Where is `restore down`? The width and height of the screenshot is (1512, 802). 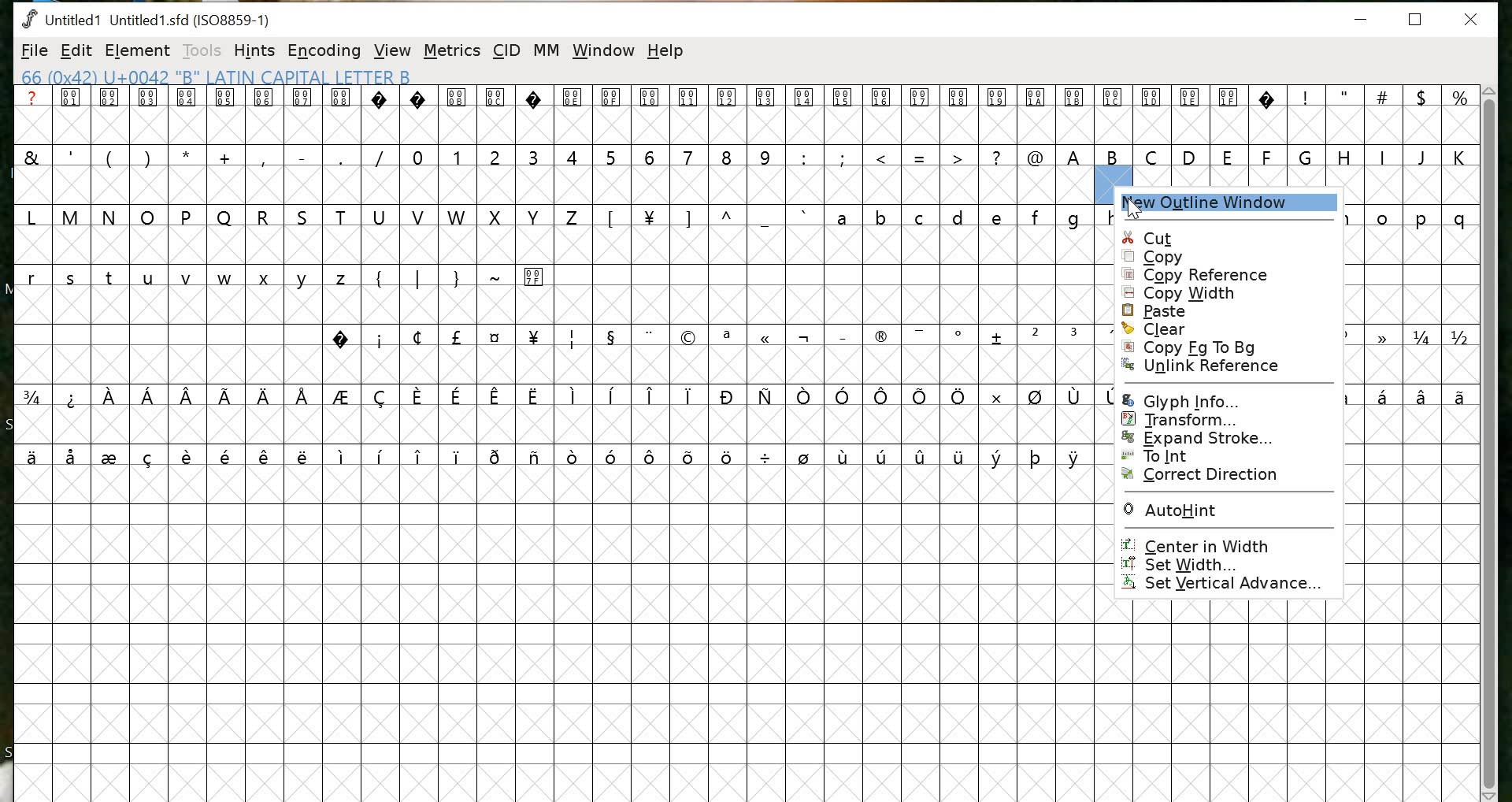
restore down is located at coordinates (1416, 20).